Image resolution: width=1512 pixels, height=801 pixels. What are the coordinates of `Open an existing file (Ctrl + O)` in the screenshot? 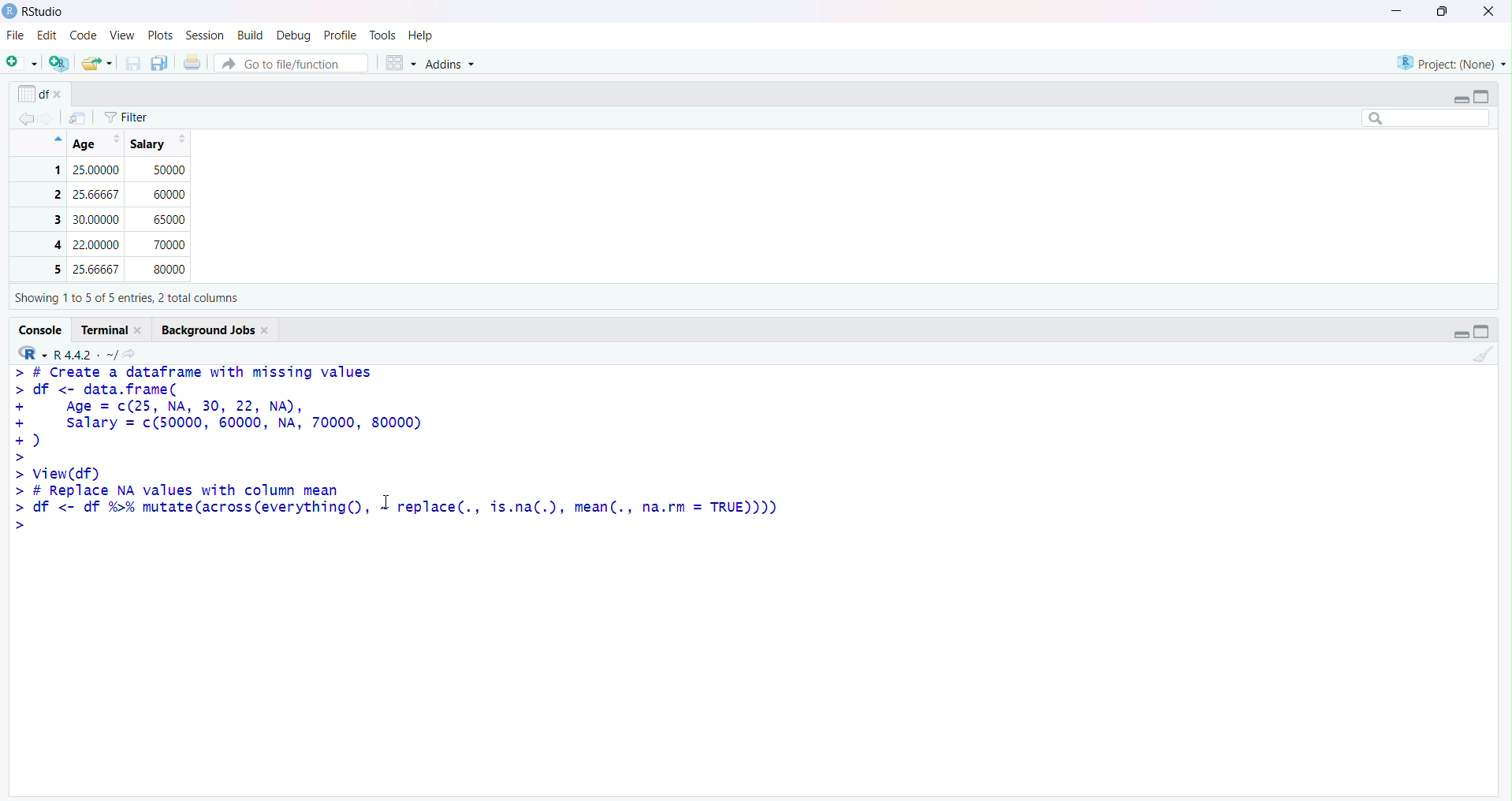 It's located at (97, 62).